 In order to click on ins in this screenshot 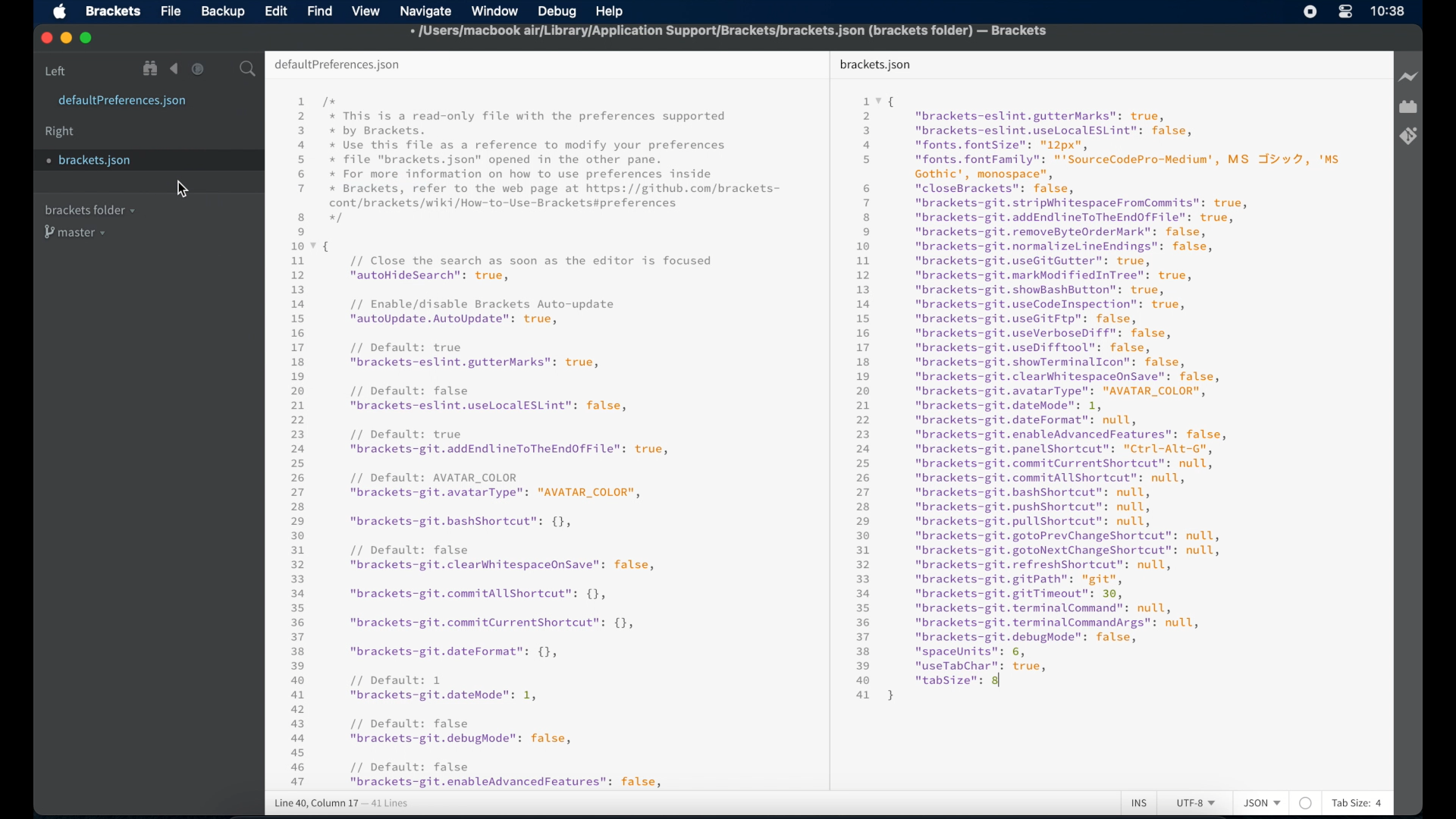, I will do `click(1139, 804)`.